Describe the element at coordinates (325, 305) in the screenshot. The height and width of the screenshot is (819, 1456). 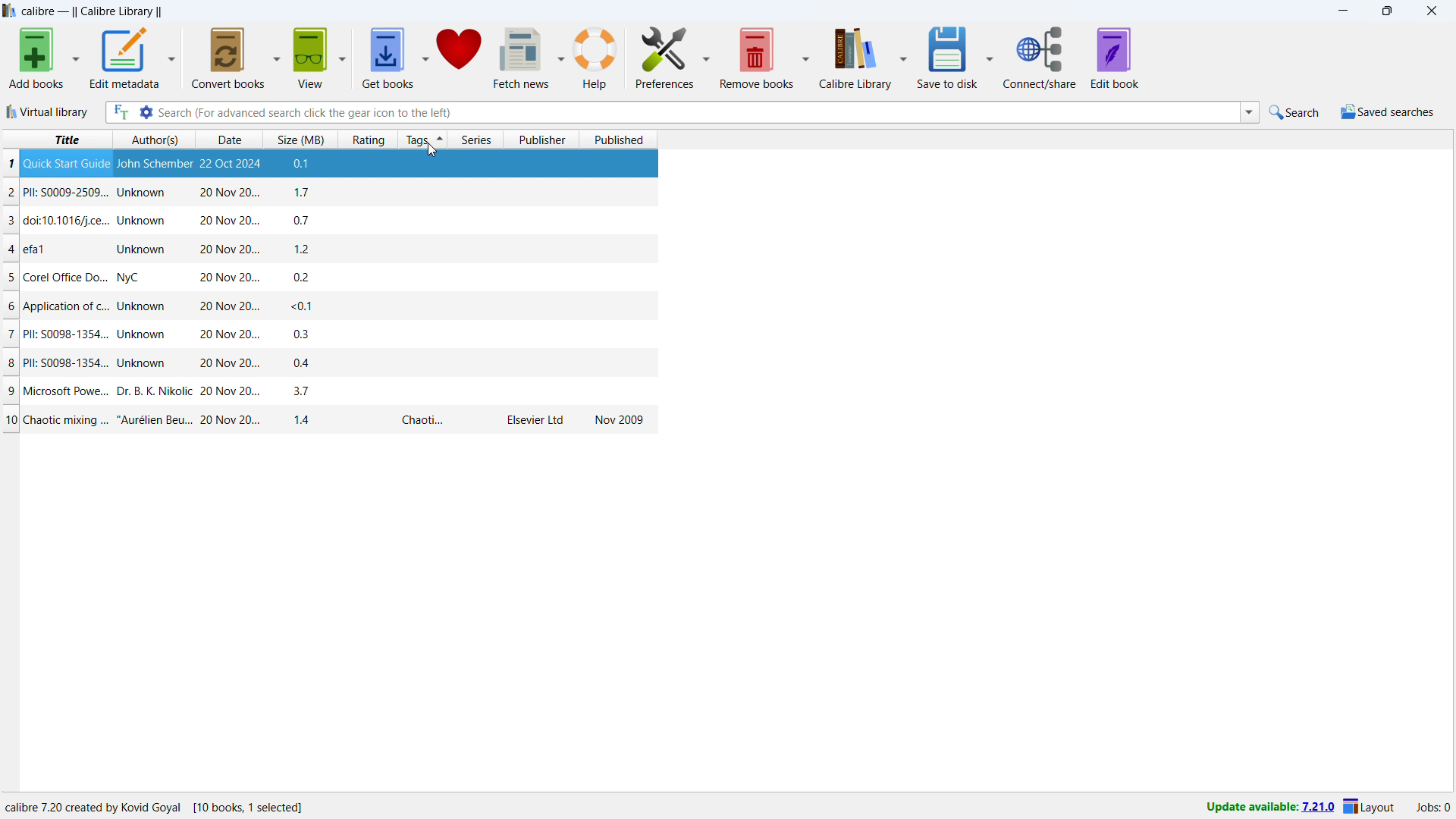
I see `one book entry` at that location.